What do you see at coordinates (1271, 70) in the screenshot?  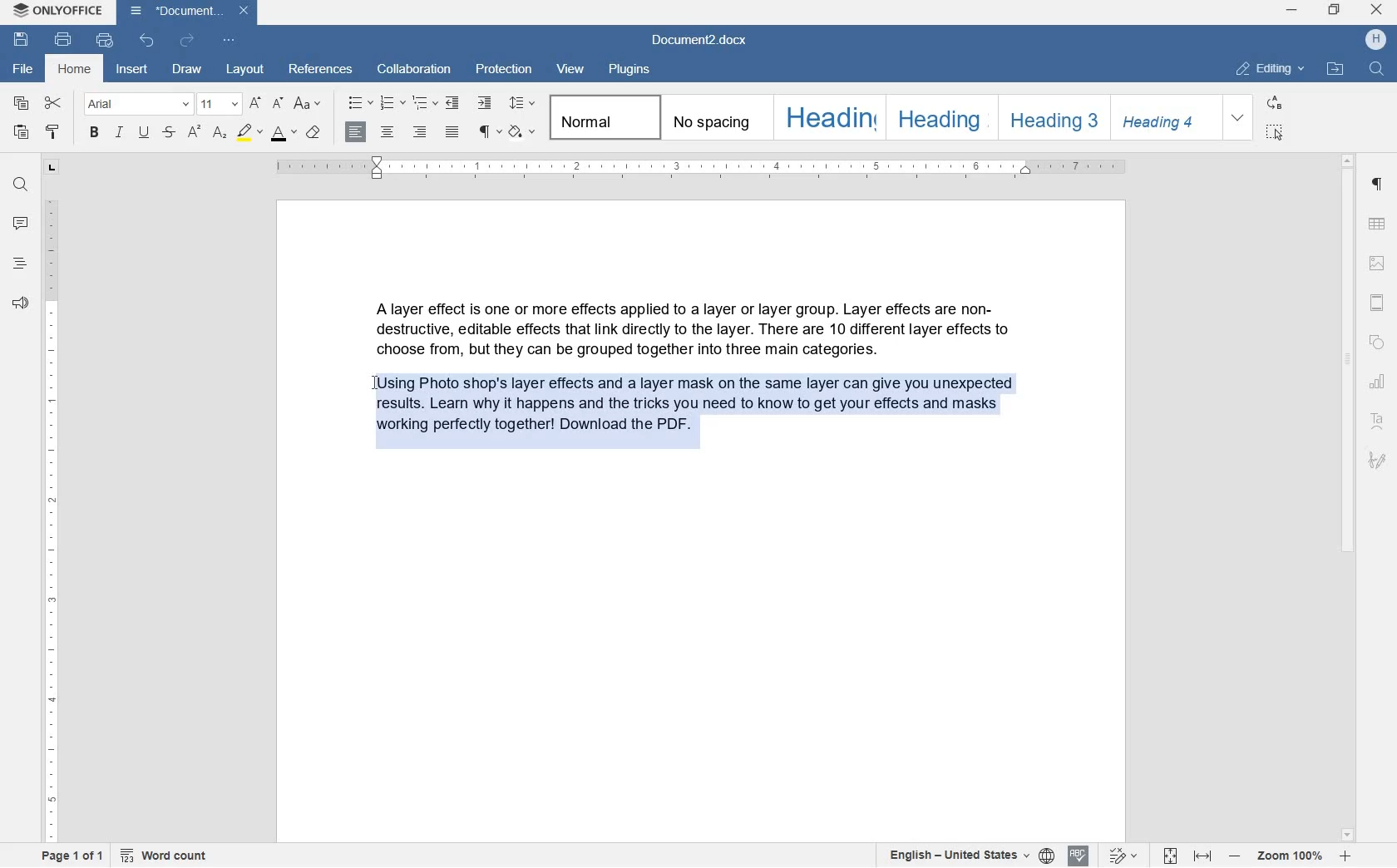 I see `EDITING` at bounding box center [1271, 70].